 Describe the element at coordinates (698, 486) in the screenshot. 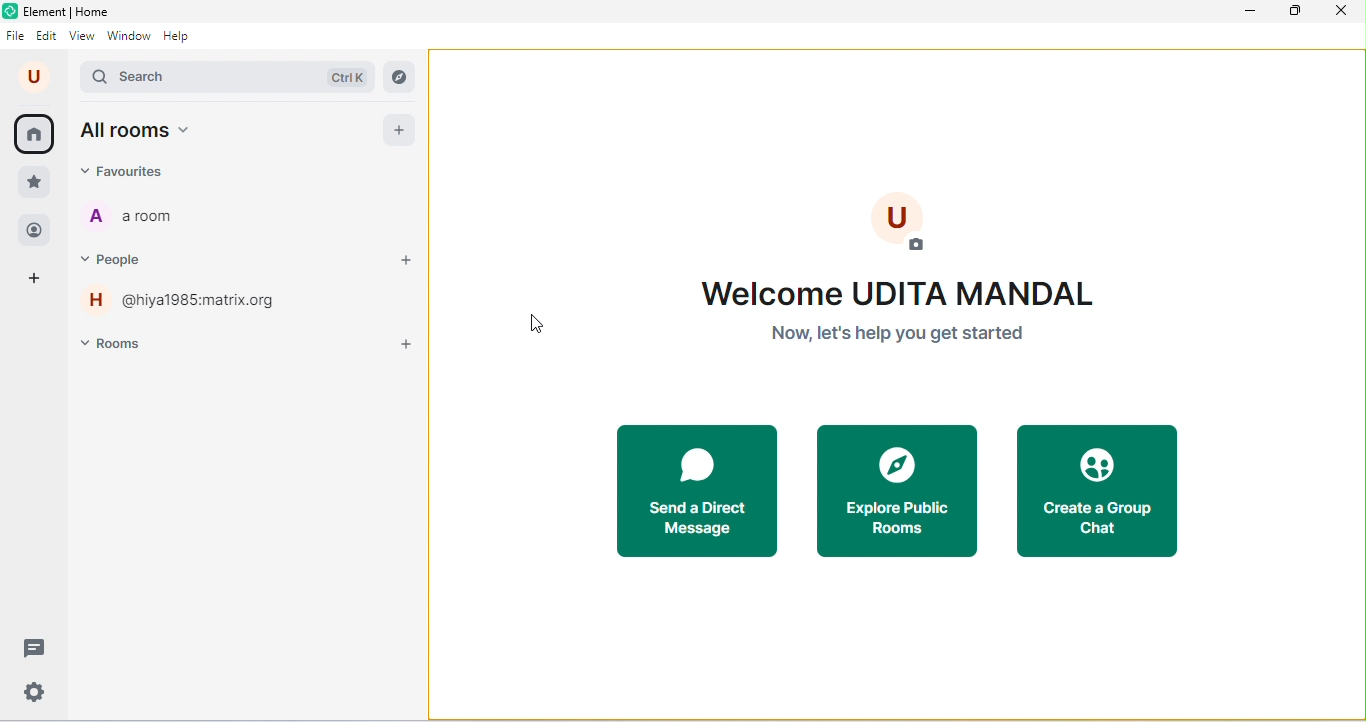

I see `start a direct message` at that location.